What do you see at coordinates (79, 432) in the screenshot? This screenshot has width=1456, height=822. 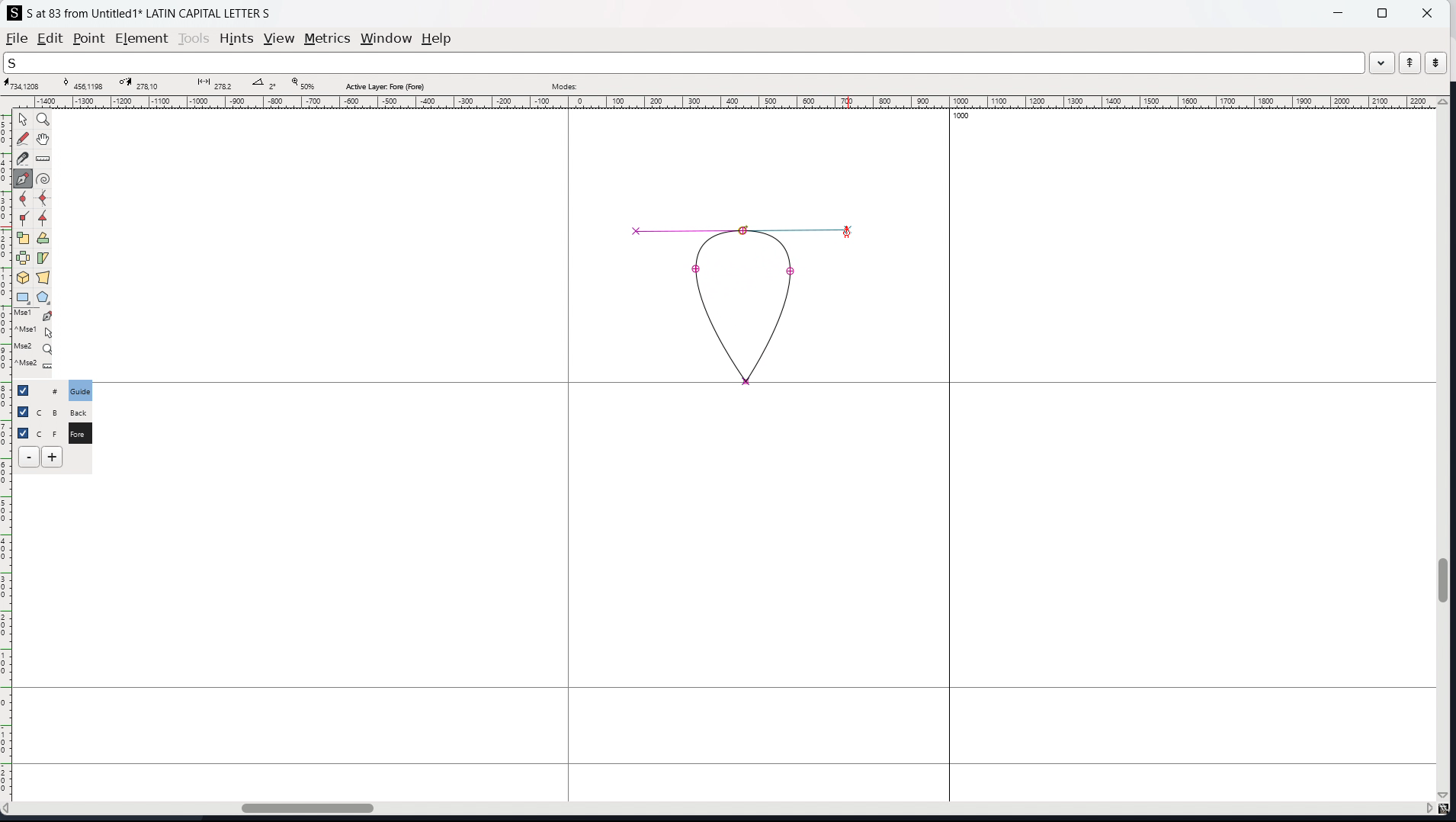 I see `C F Fore` at bounding box center [79, 432].